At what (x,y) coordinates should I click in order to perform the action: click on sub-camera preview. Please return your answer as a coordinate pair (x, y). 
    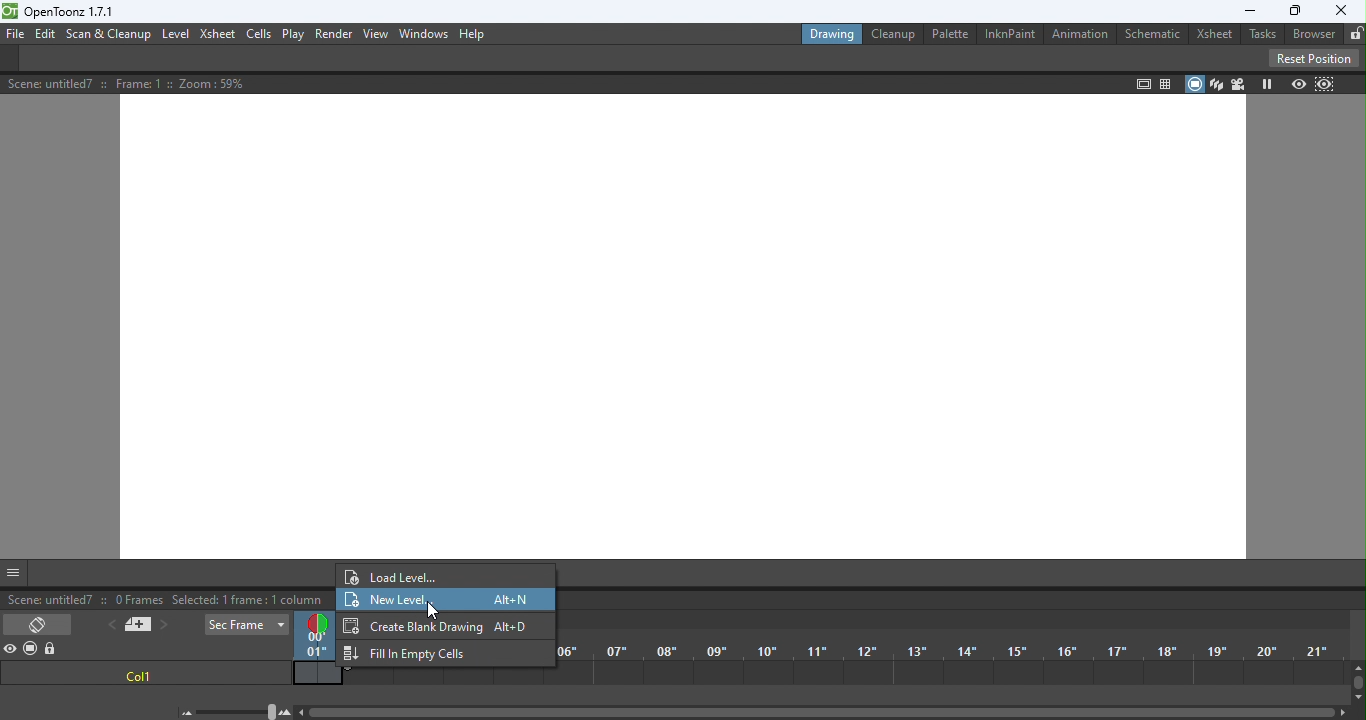
    Looking at the image, I should click on (1326, 84).